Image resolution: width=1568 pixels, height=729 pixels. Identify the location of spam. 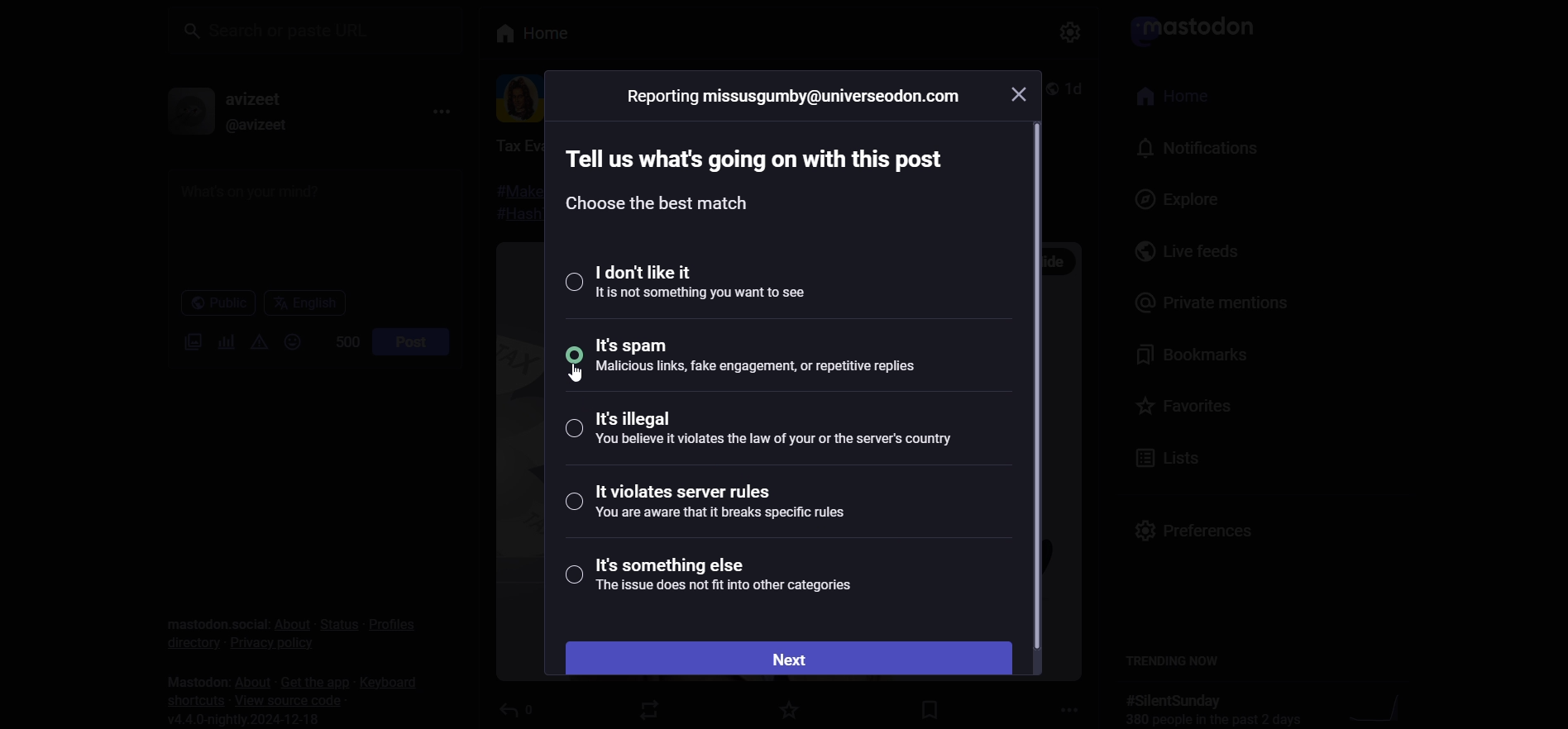
(758, 360).